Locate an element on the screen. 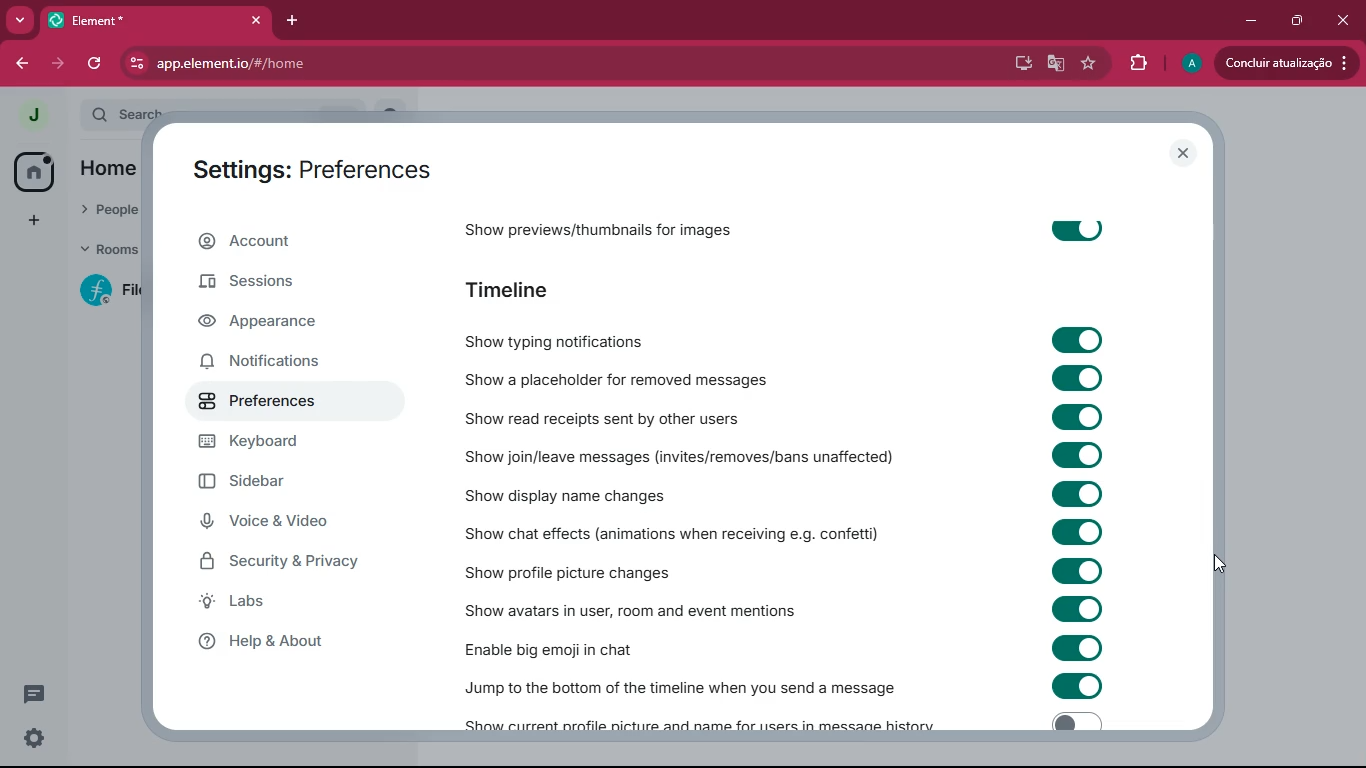  restore down is located at coordinates (1294, 21).